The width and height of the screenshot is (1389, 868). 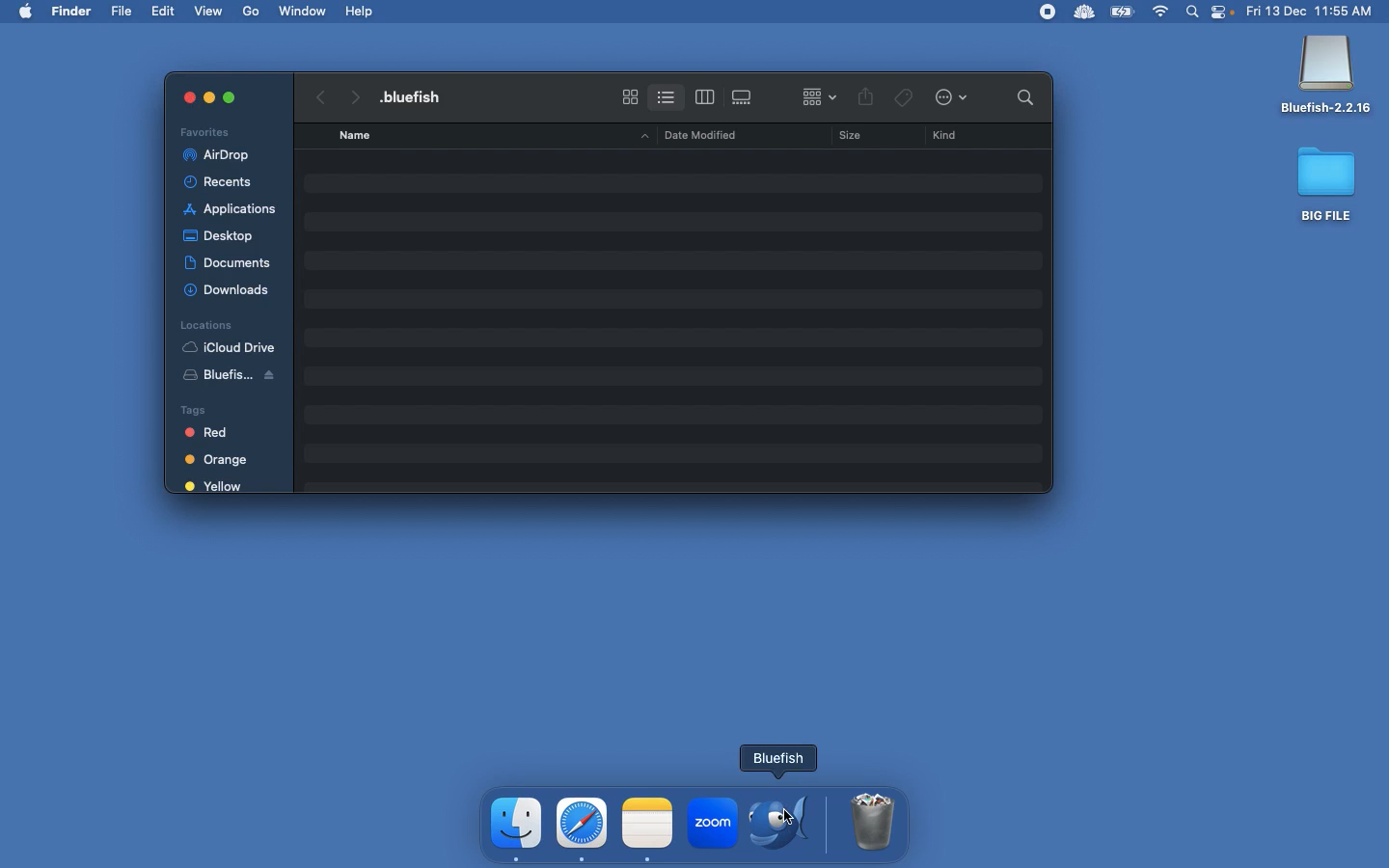 I want to click on red, so click(x=217, y=434).